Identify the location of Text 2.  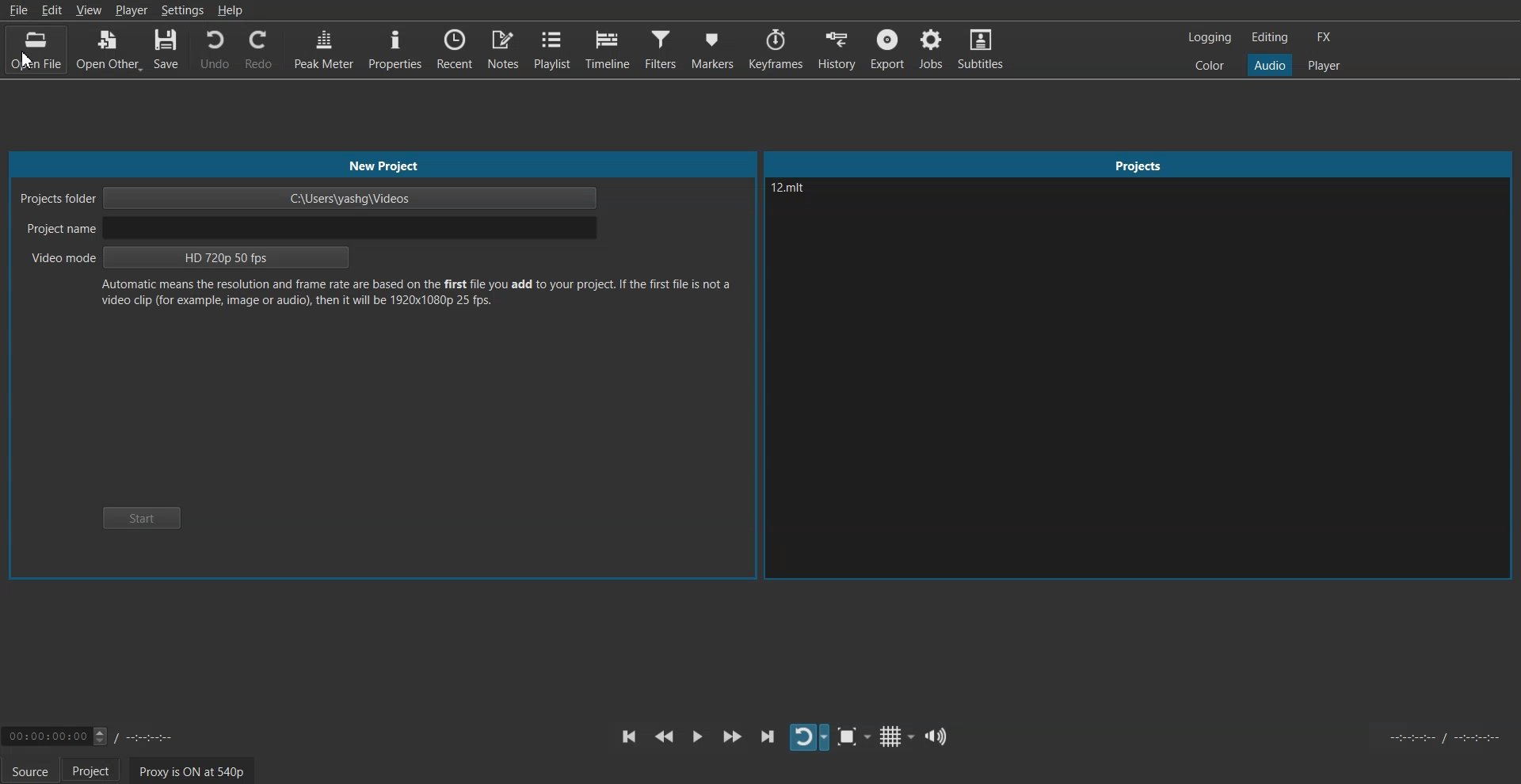
(414, 293).